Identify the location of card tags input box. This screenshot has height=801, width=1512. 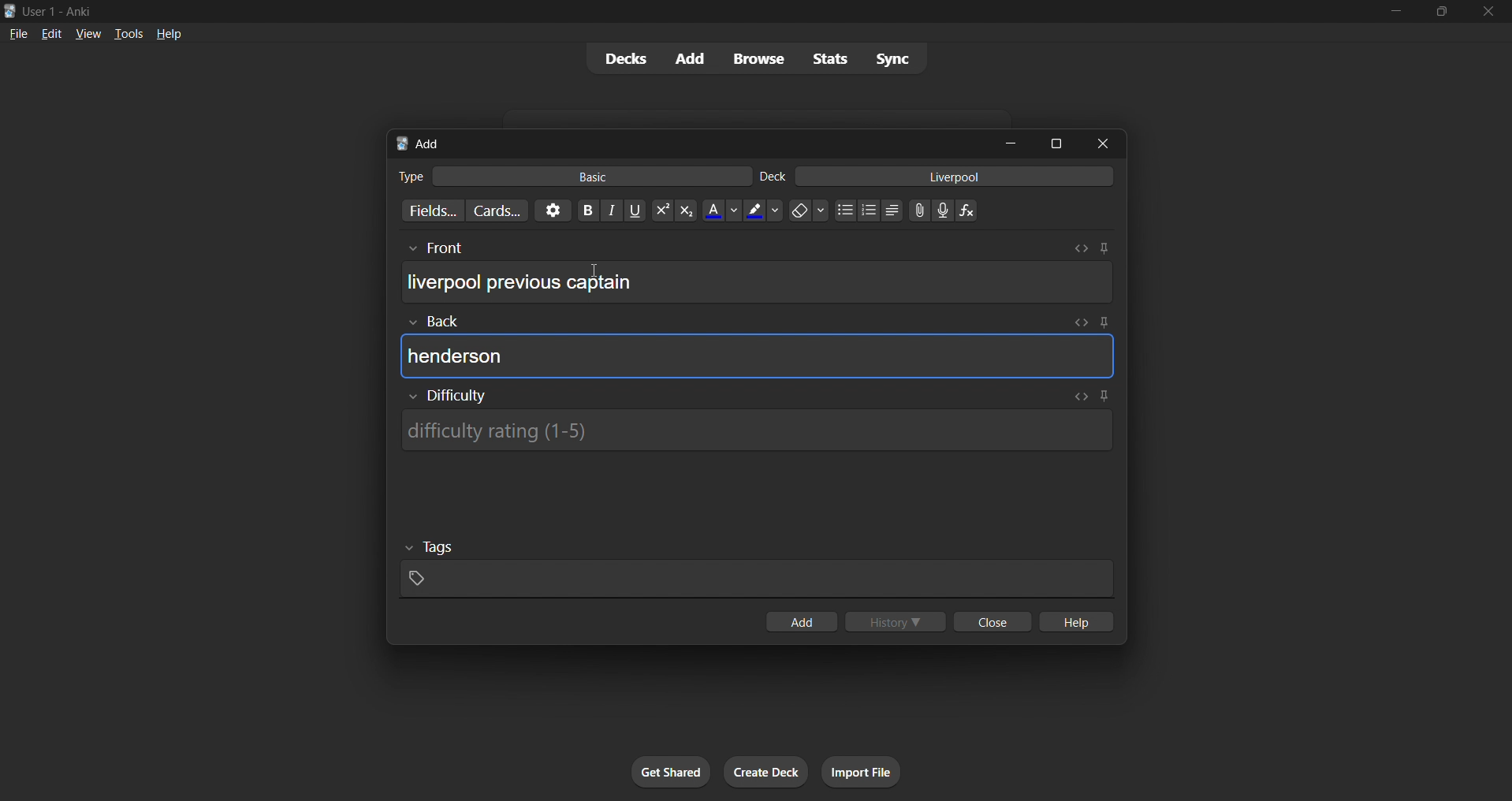
(757, 564).